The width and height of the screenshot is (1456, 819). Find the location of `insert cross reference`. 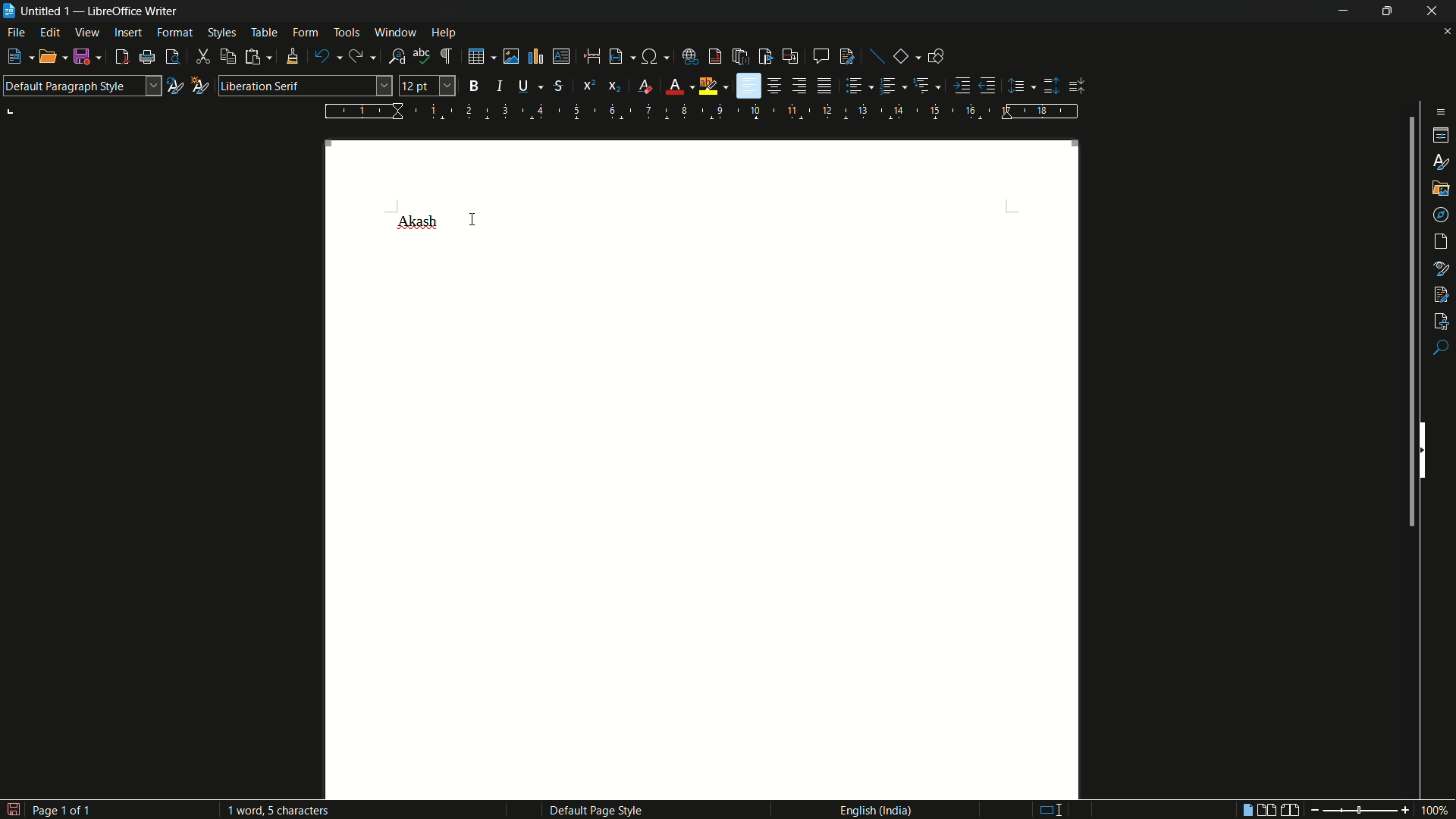

insert cross reference is located at coordinates (789, 57).